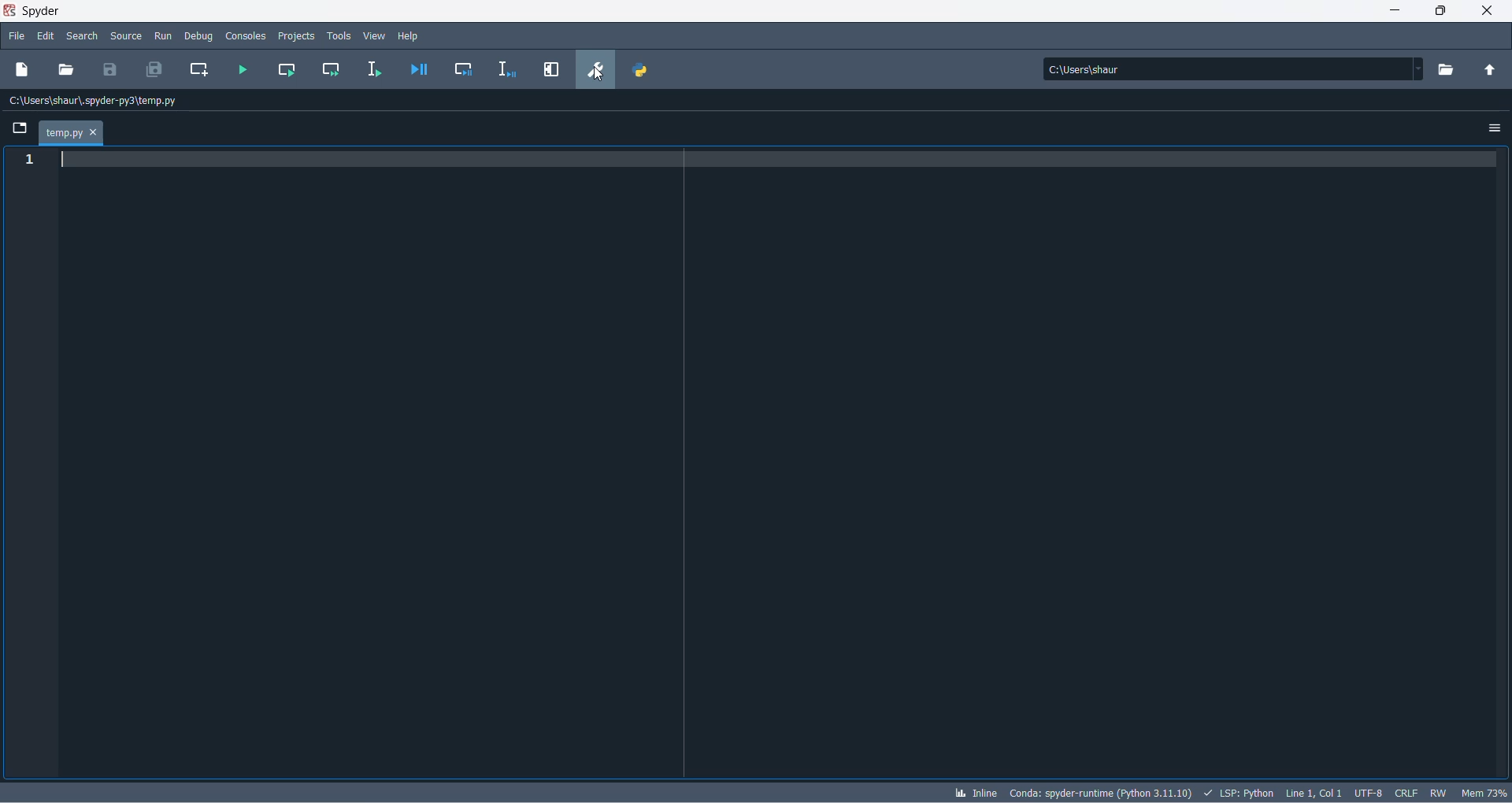 This screenshot has width=1512, height=803. What do you see at coordinates (1314, 790) in the screenshot?
I see `line and column number` at bounding box center [1314, 790].